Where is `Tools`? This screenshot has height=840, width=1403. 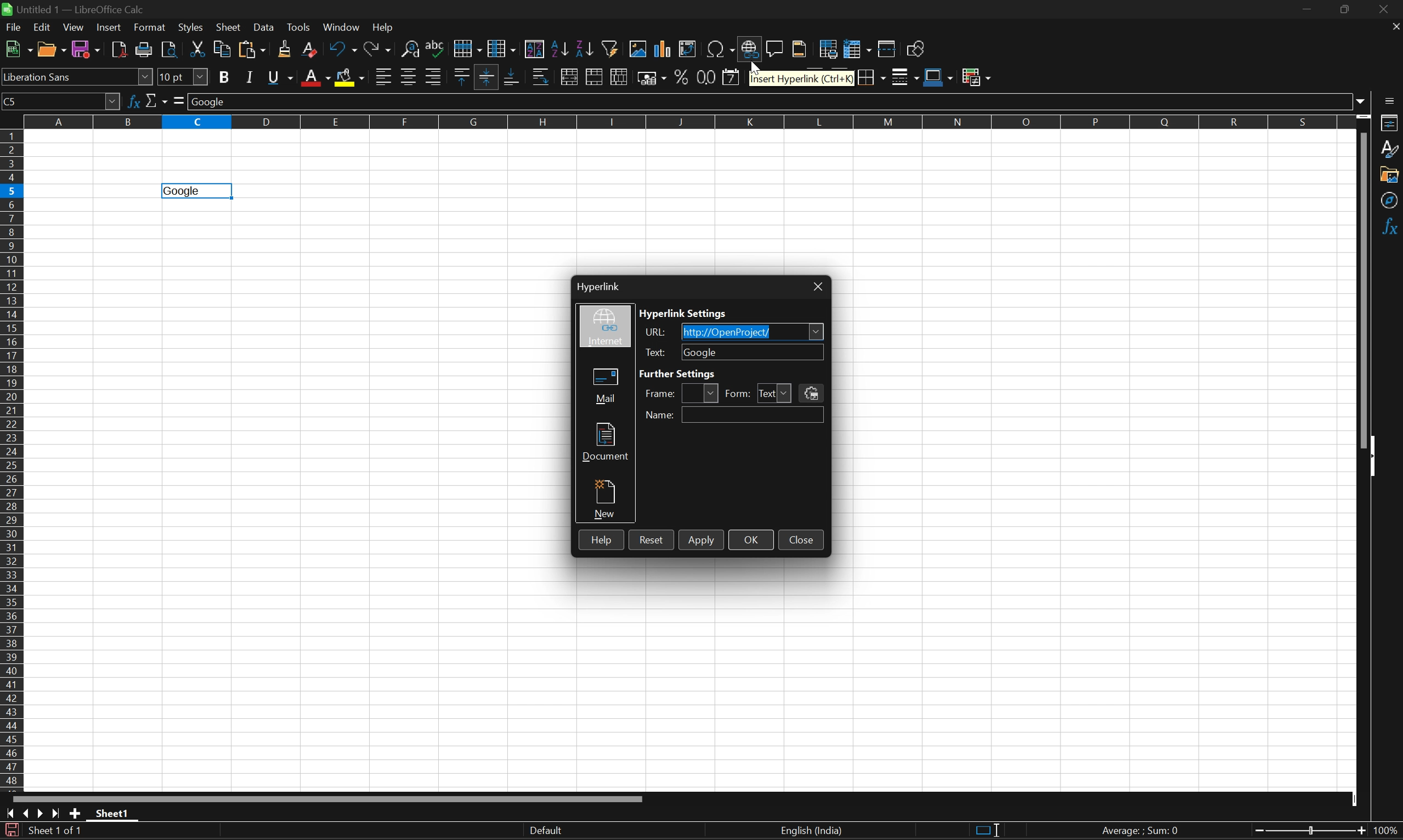 Tools is located at coordinates (301, 28).